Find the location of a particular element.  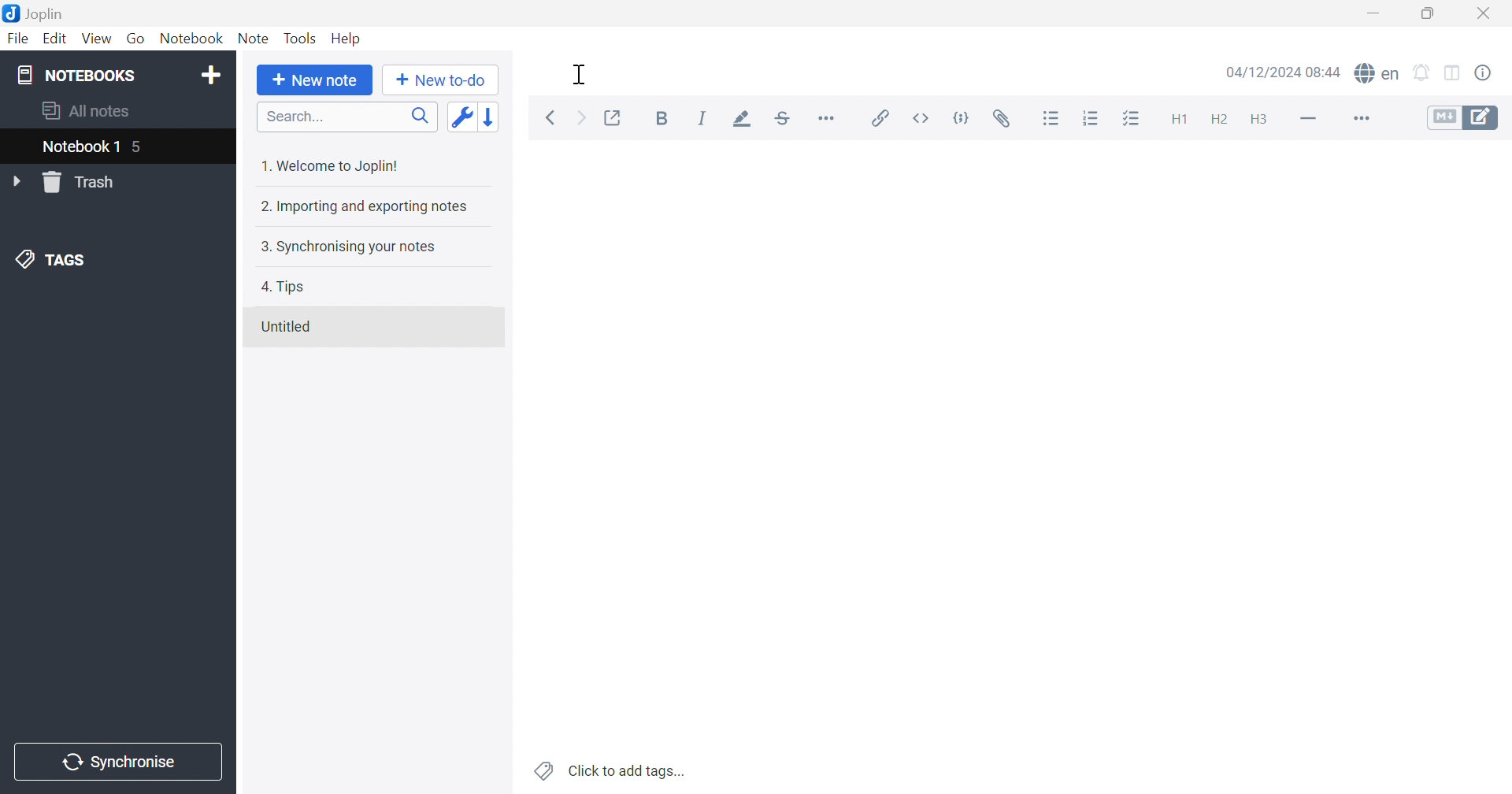

Tools is located at coordinates (301, 37).